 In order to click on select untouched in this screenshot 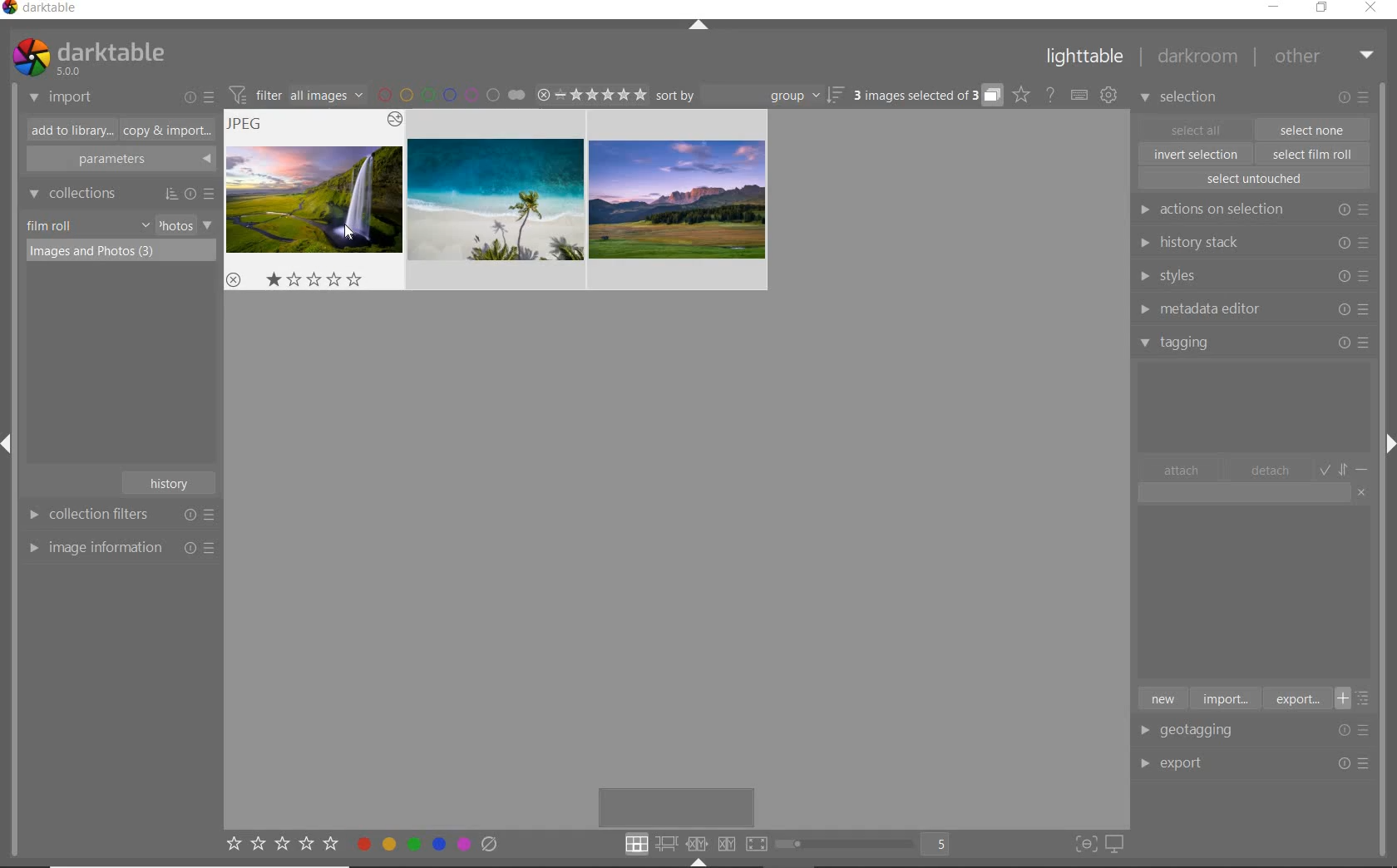, I will do `click(1253, 179)`.